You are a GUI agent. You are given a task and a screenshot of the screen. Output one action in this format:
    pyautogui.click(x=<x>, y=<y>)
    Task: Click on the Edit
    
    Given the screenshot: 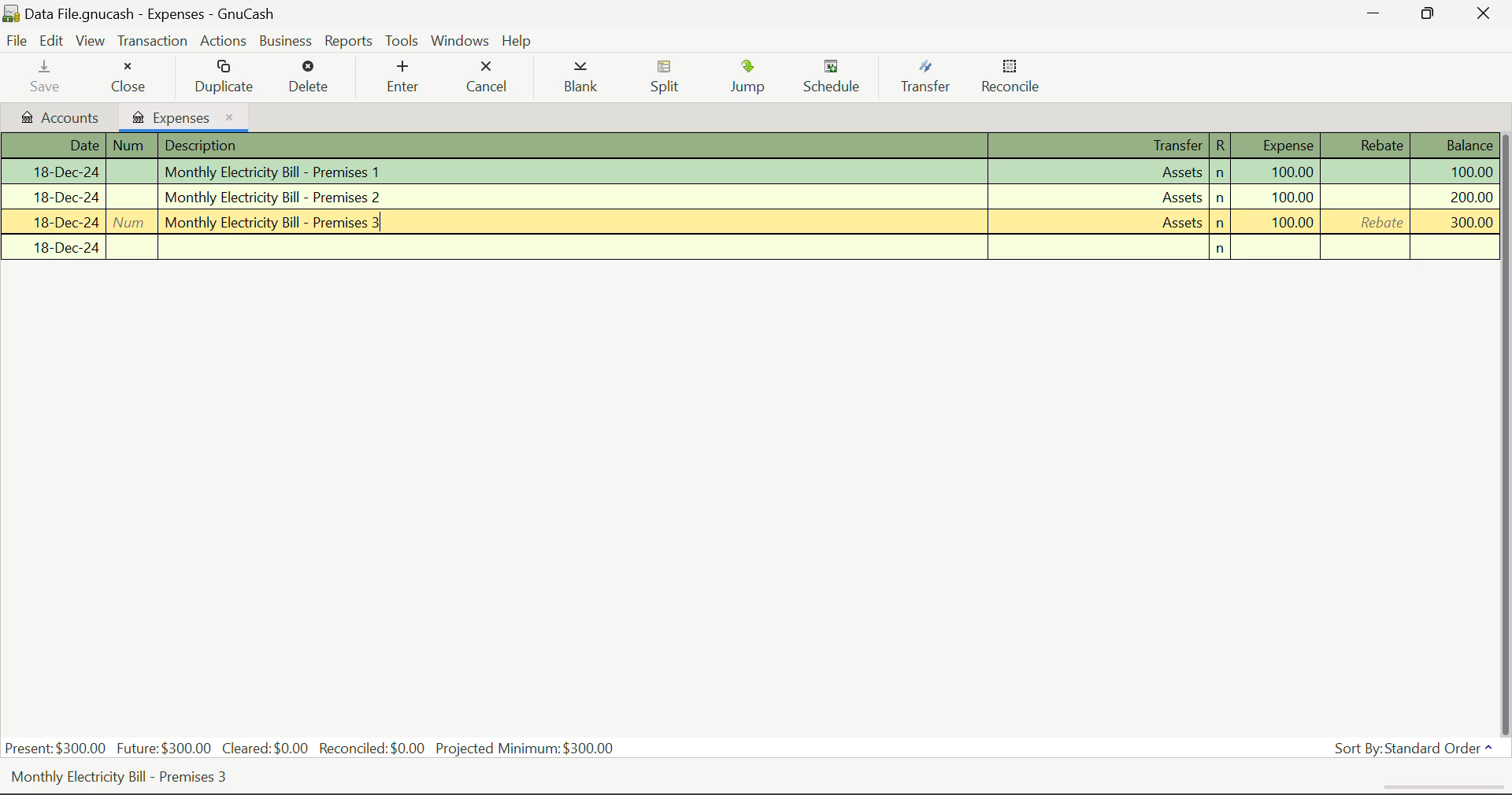 What is the action you would take?
    pyautogui.click(x=54, y=42)
    